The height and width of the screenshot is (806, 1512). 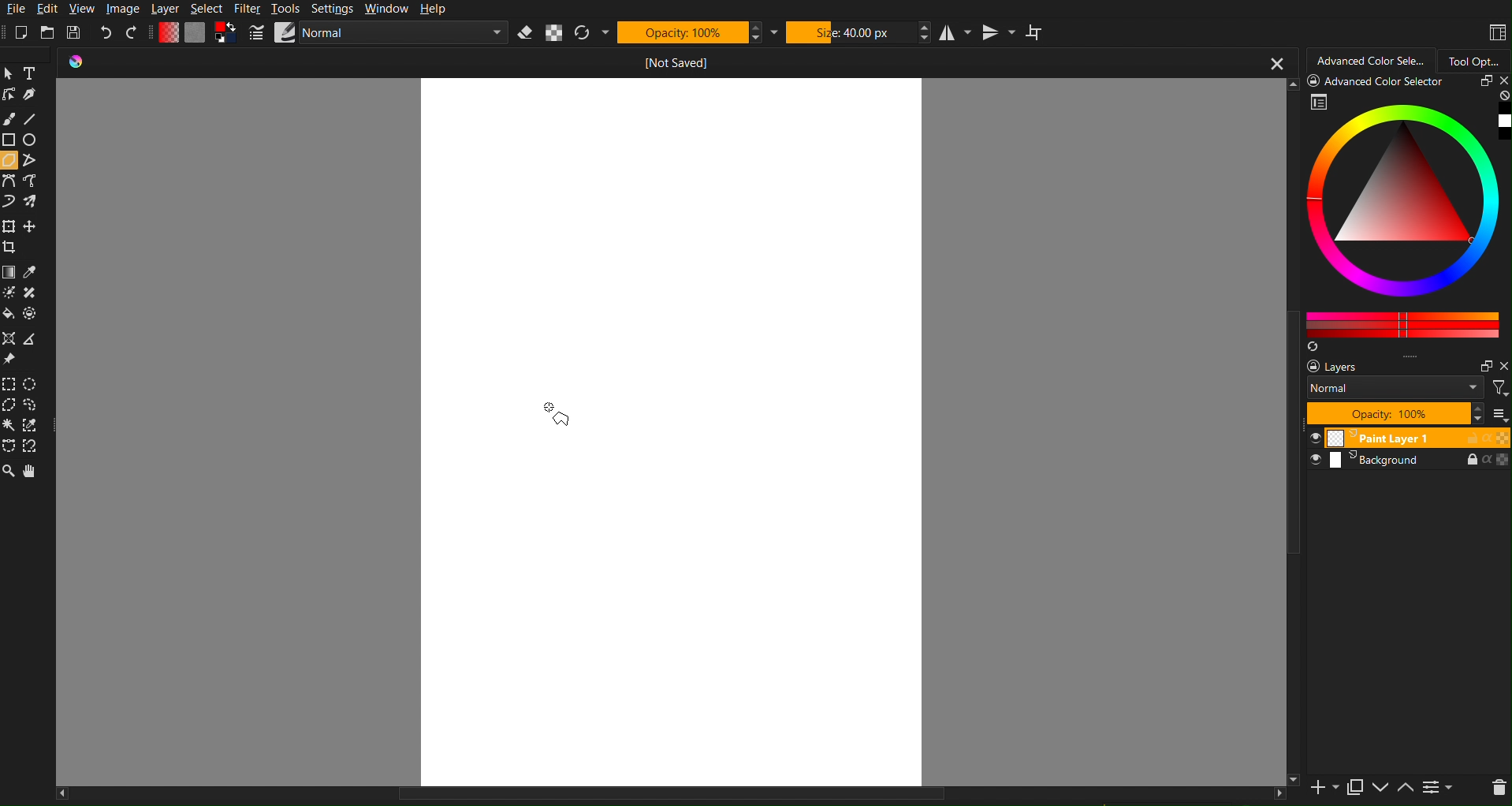 What do you see at coordinates (1325, 789) in the screenshot?
I see `add a new layer` at bounding box center [1325, 789].